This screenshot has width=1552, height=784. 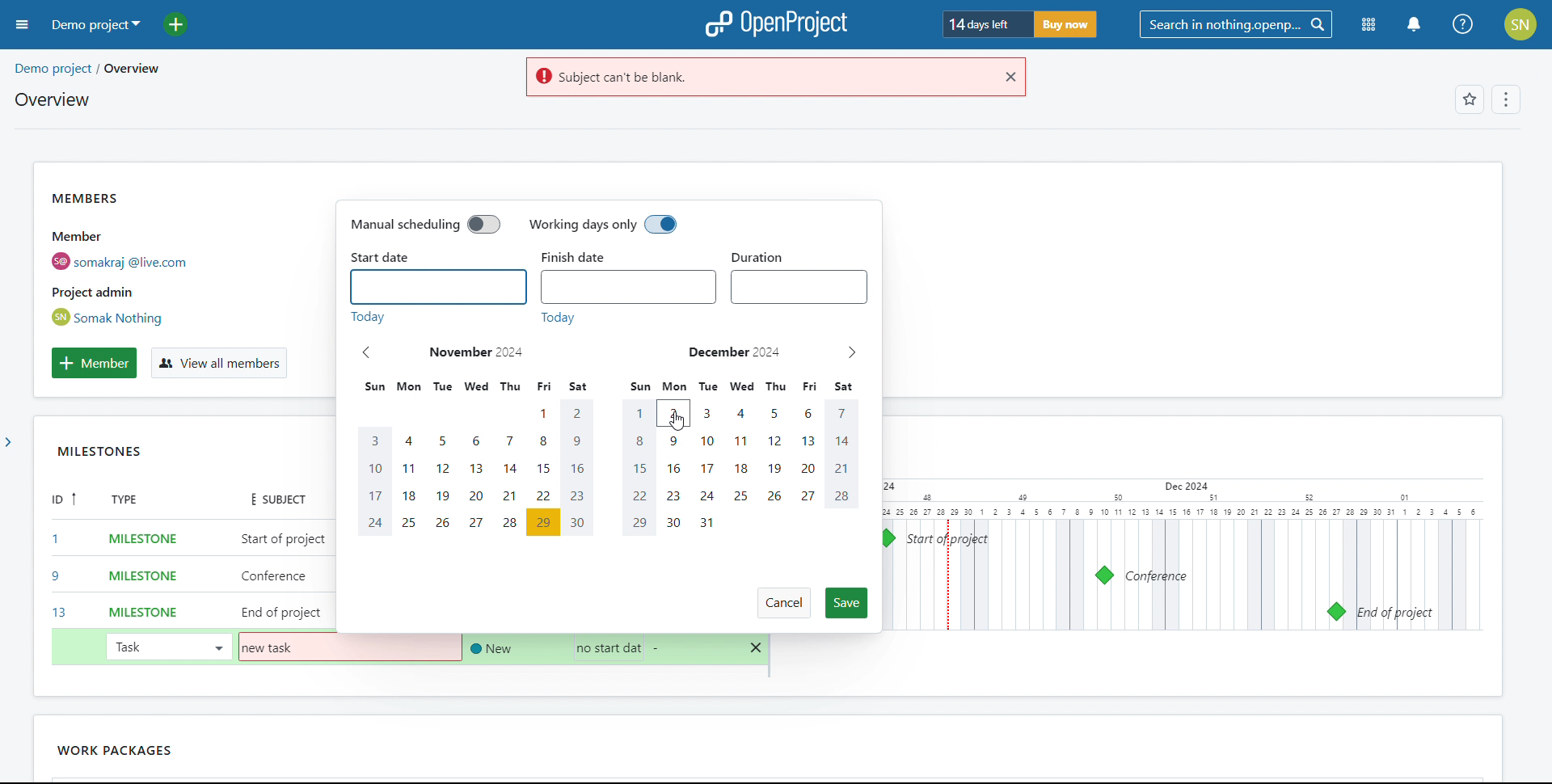 I want to click on add member, so click(x=94, y=363).